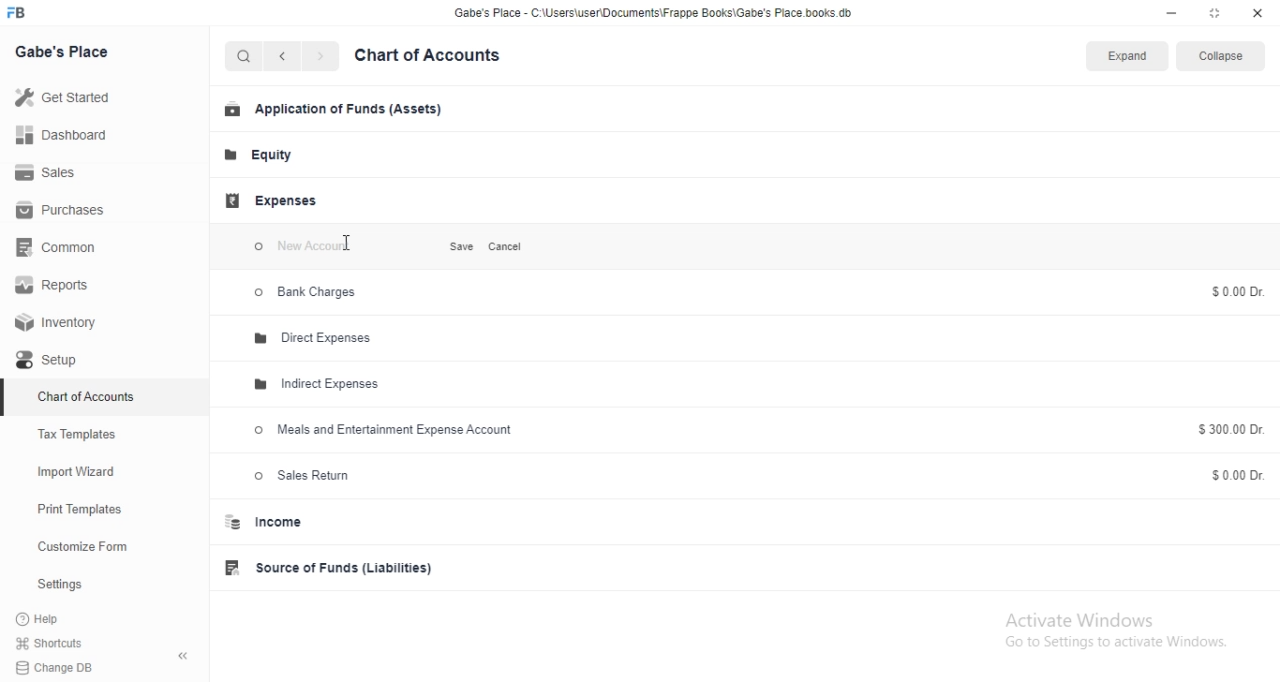 Image resolution: width=1280 pixels, height=682 pixels. I want to click on Direct Expenses., so click(326, 338).